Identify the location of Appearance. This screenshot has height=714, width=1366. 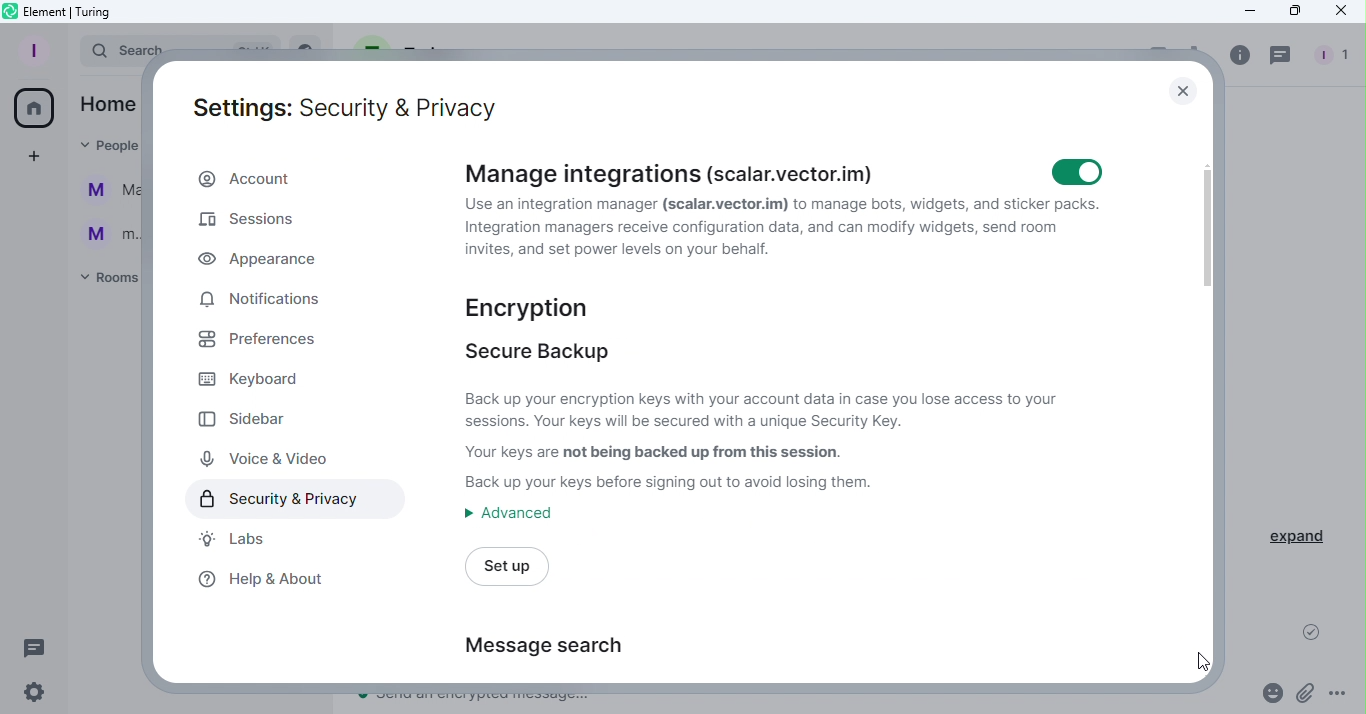
(270, 260).